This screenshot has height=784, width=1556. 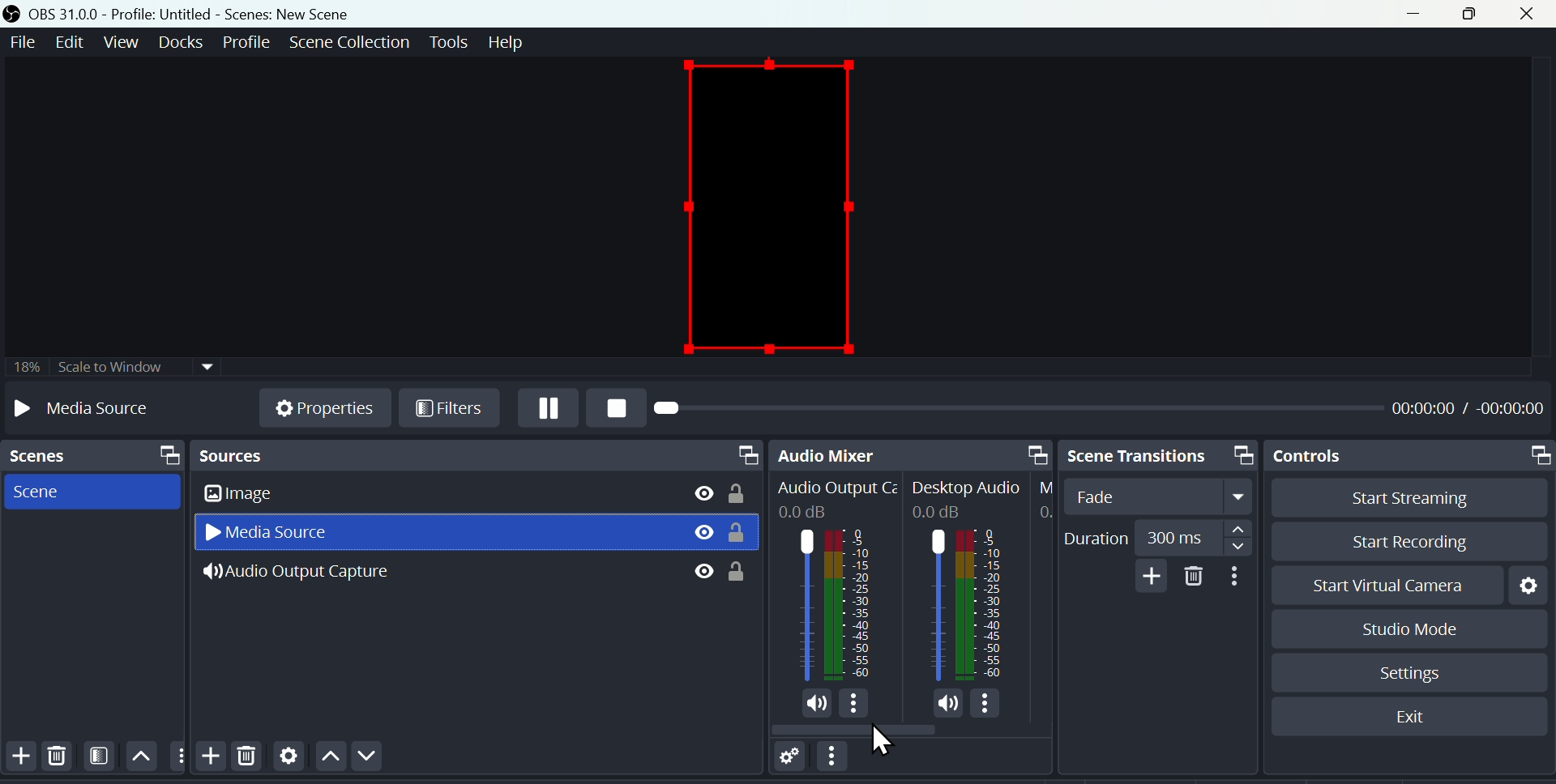 I want to click on start virtual camera, so click(x=1379, y=585).